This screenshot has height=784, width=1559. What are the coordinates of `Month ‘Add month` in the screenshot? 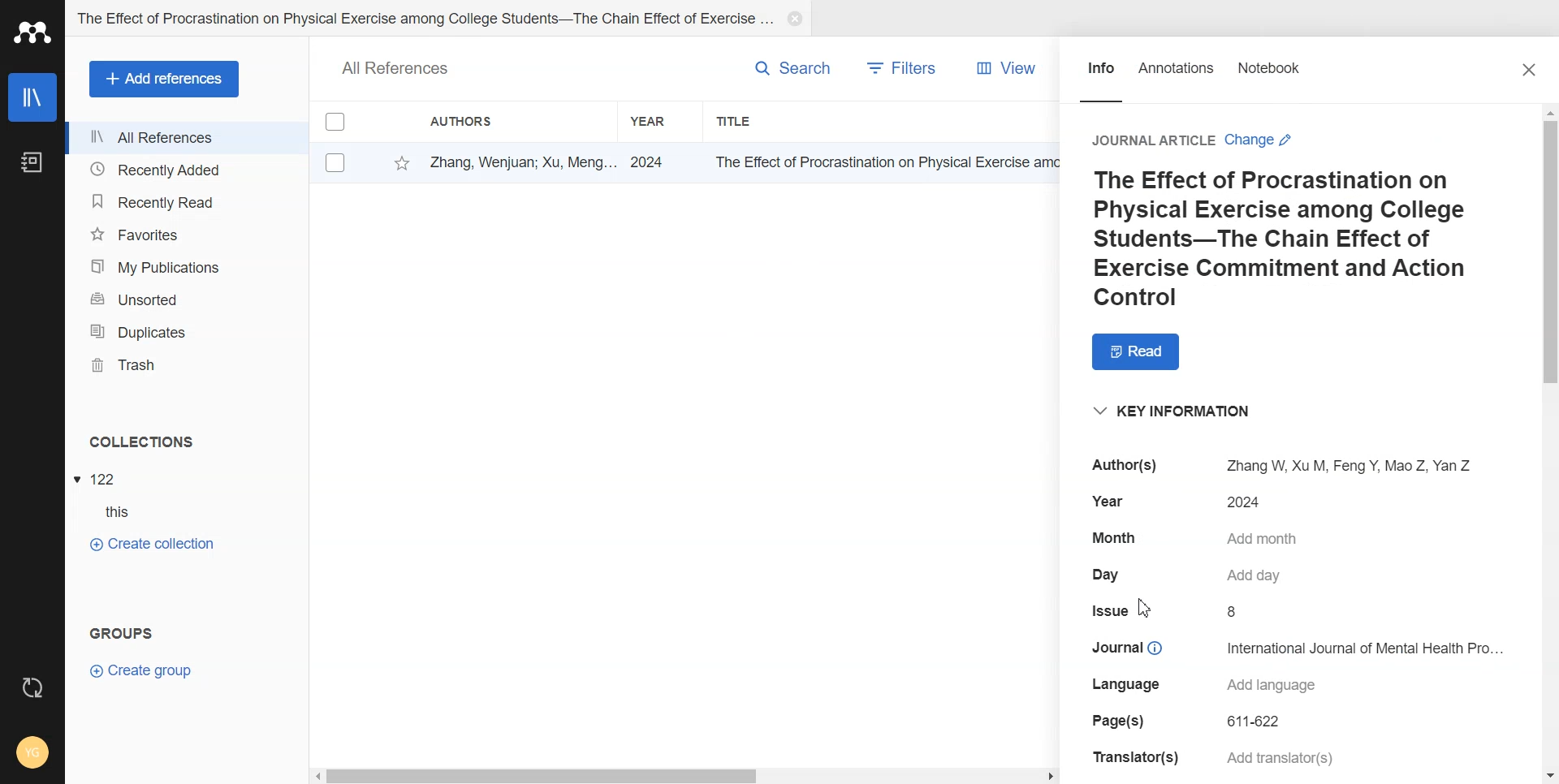 It's located at (1197, 539).